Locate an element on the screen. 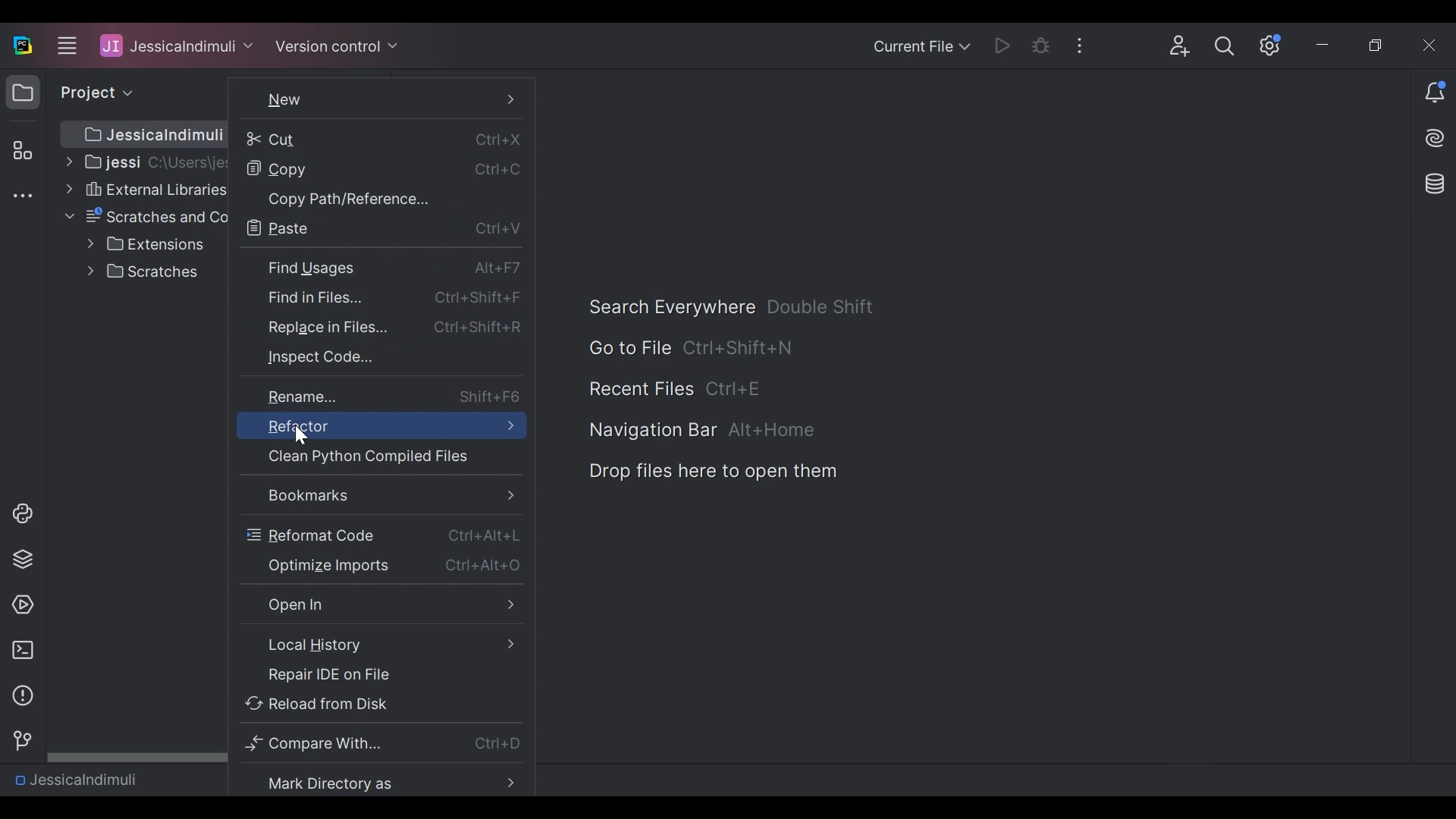  Scratches and Console File is located at coordinates (146, 217).